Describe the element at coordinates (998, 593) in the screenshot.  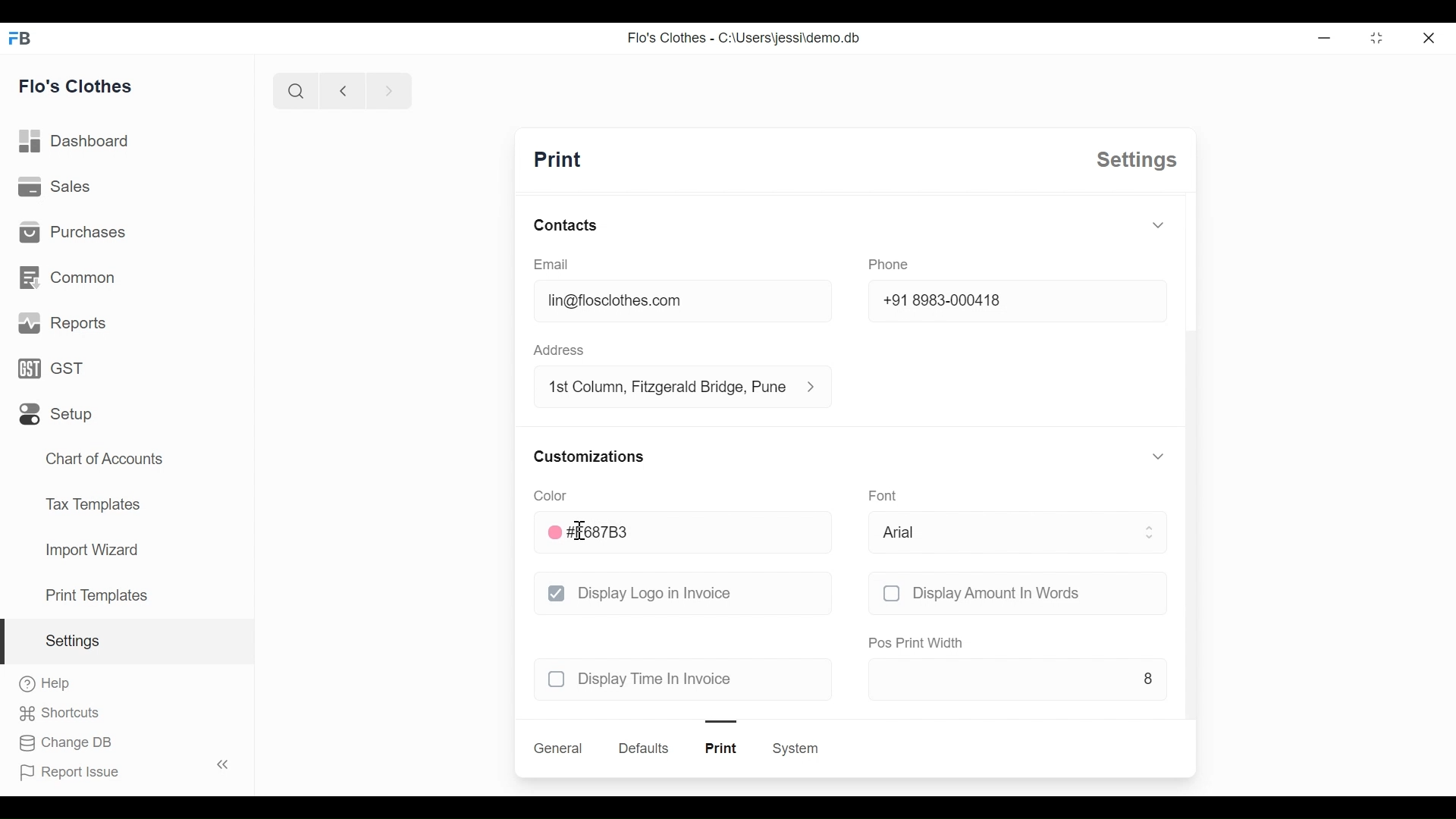
I see `display amount in words` at that location.